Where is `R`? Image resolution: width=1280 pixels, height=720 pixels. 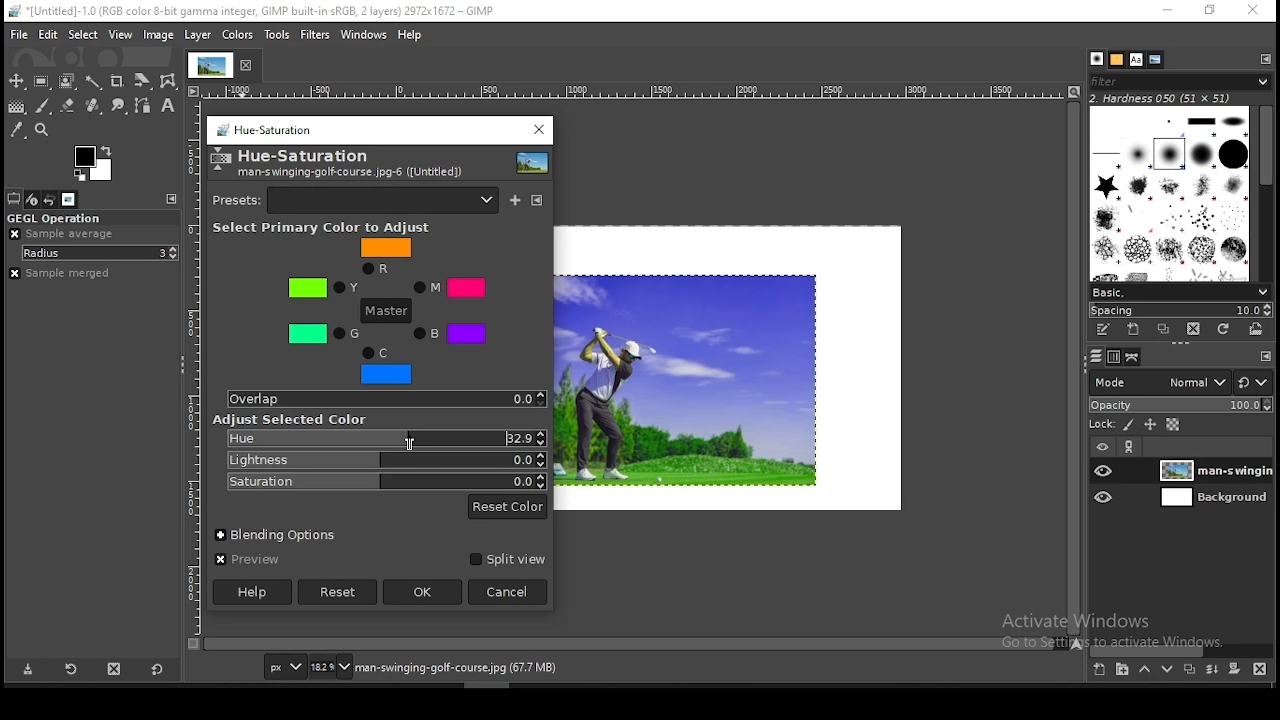
R is located at coordinates (385, 256).